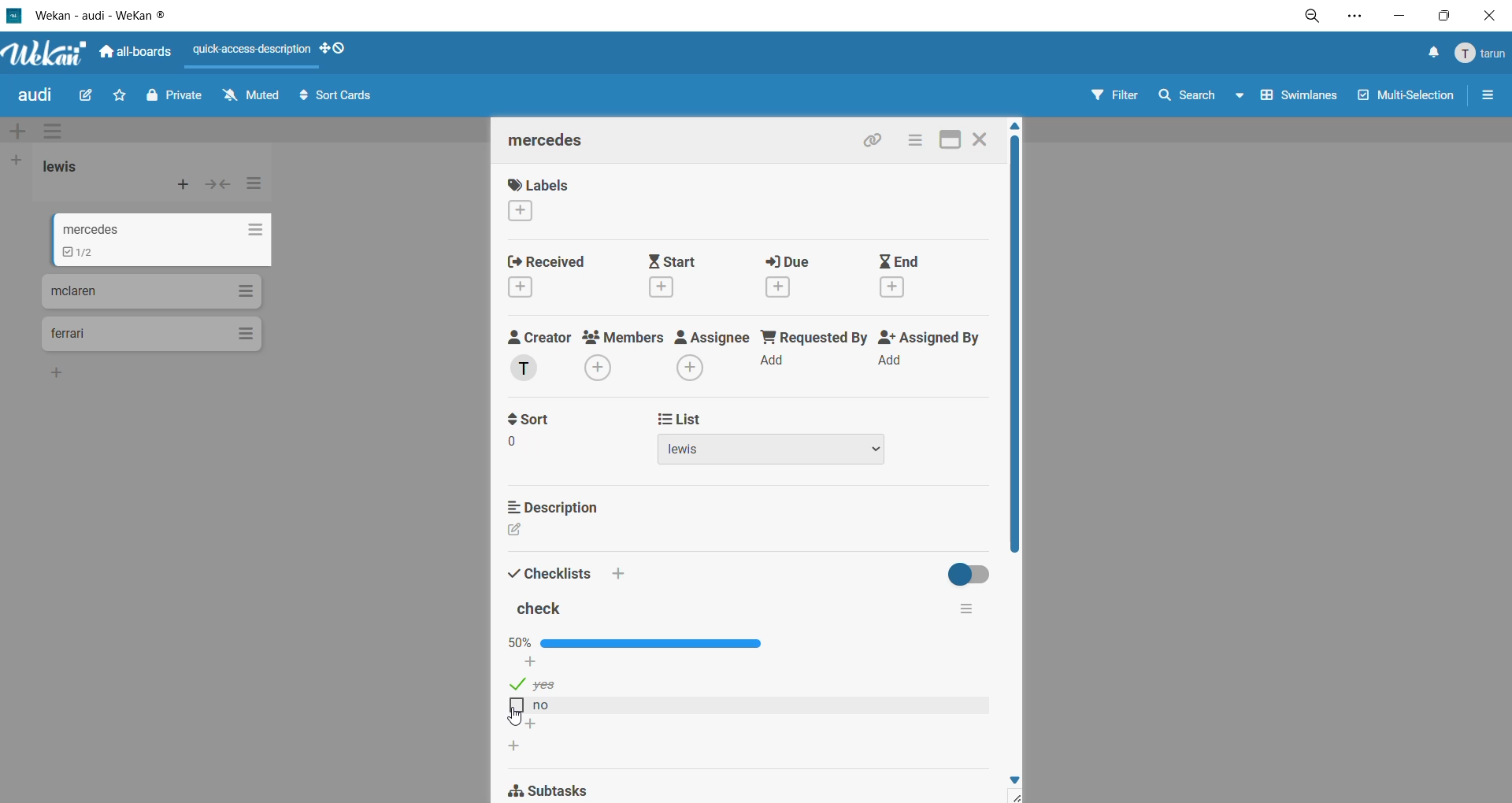  Describe the element at coordinates (150, 335) in the screenshot. I see `cards` at that location.